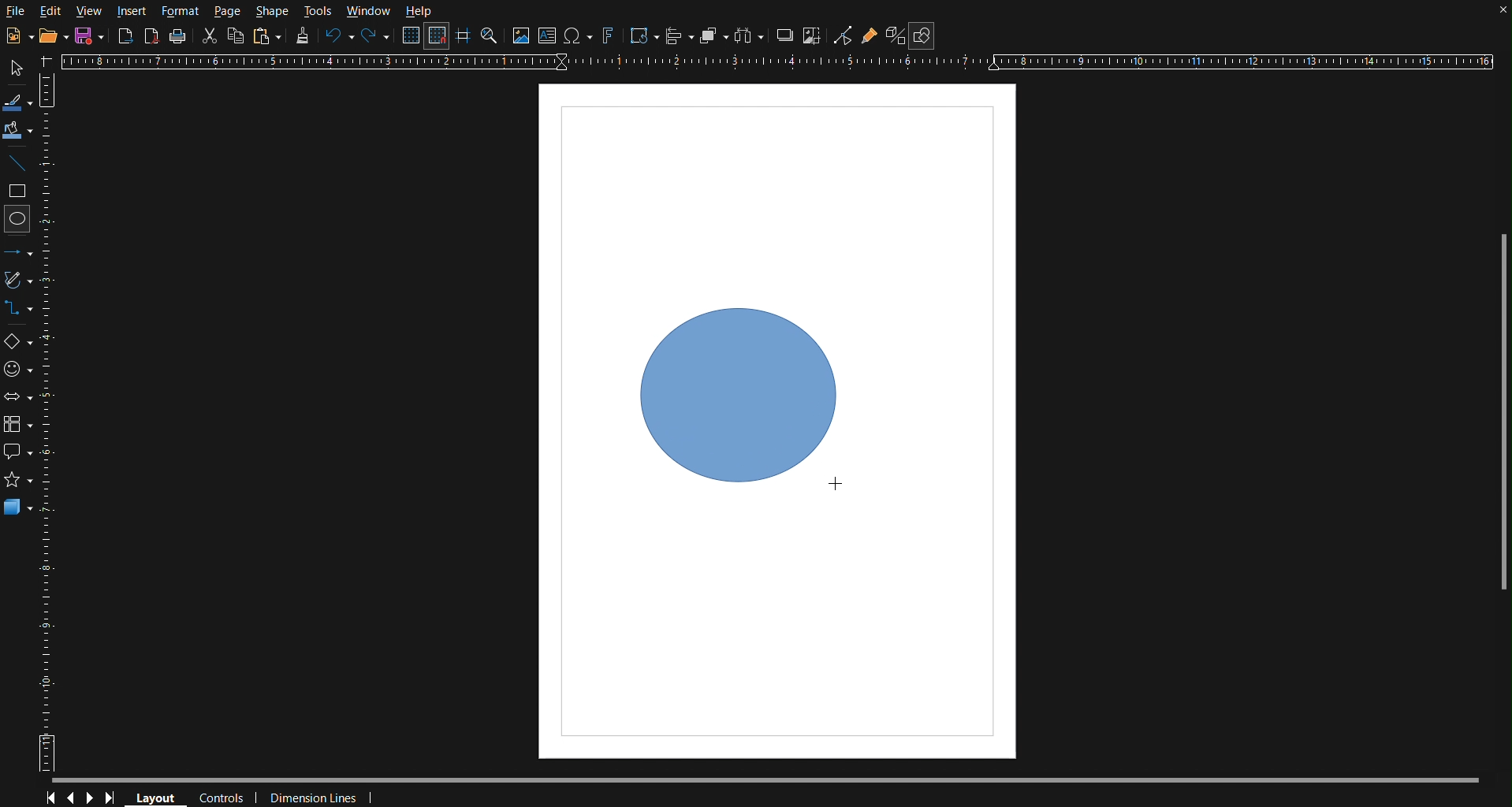 The height and width of the screenshot is (807, 1512). What do you see at coordinates (51, 10) in the screenshot?
I see `Edit` at bounding box center [51, 10].